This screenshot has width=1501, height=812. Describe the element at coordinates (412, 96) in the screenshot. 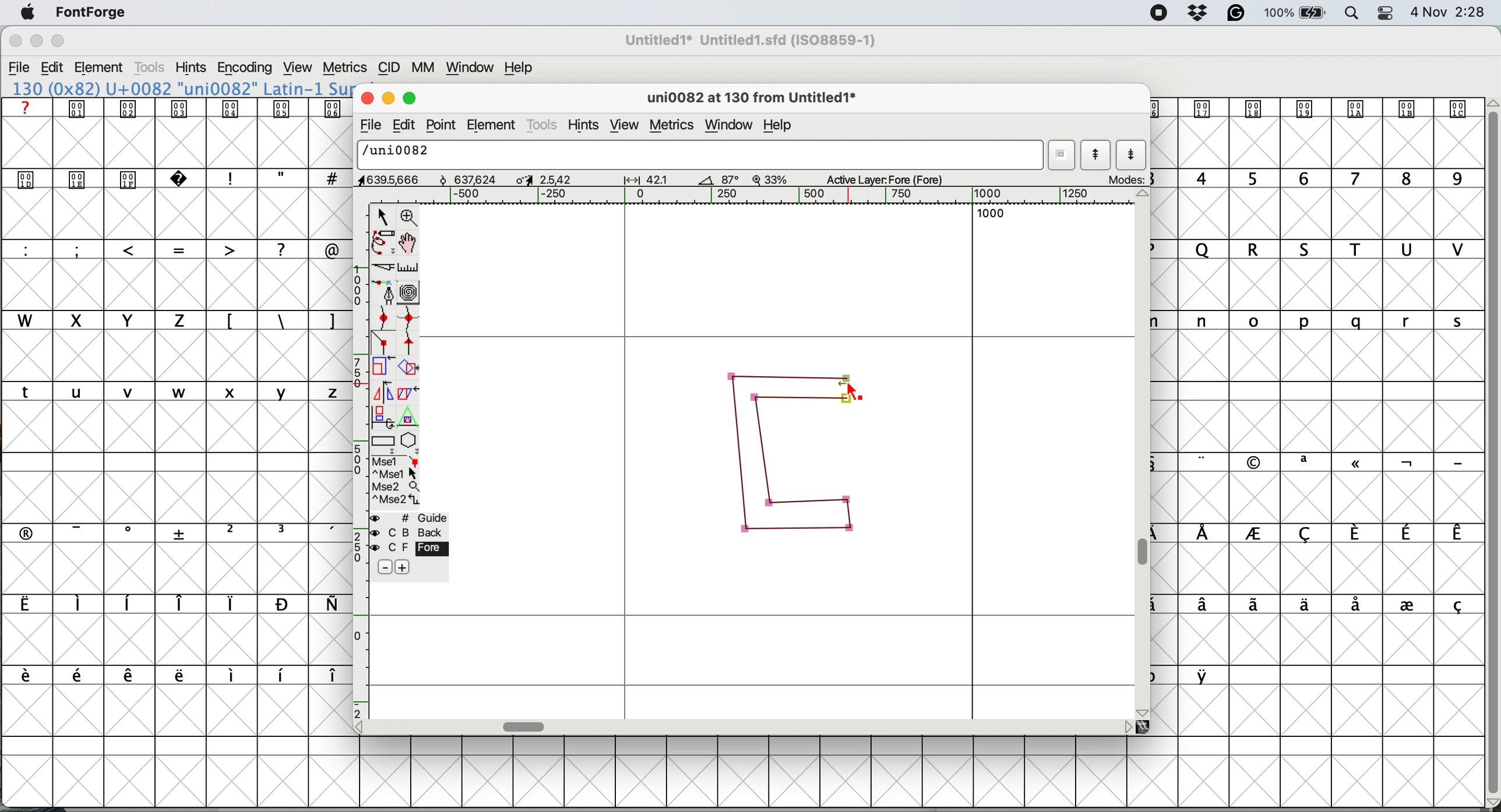

I see `maximise` at that location.